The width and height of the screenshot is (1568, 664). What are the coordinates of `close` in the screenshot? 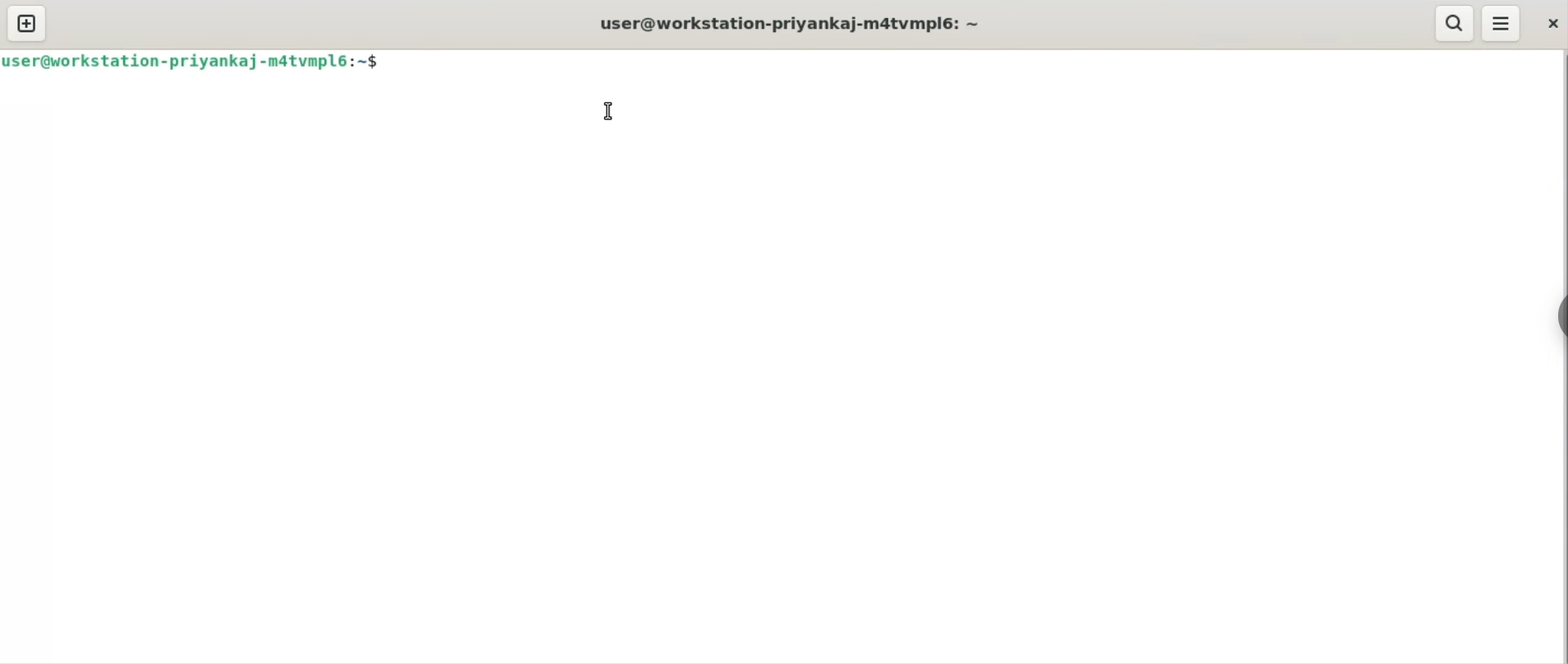 It's located at (1550, 22).